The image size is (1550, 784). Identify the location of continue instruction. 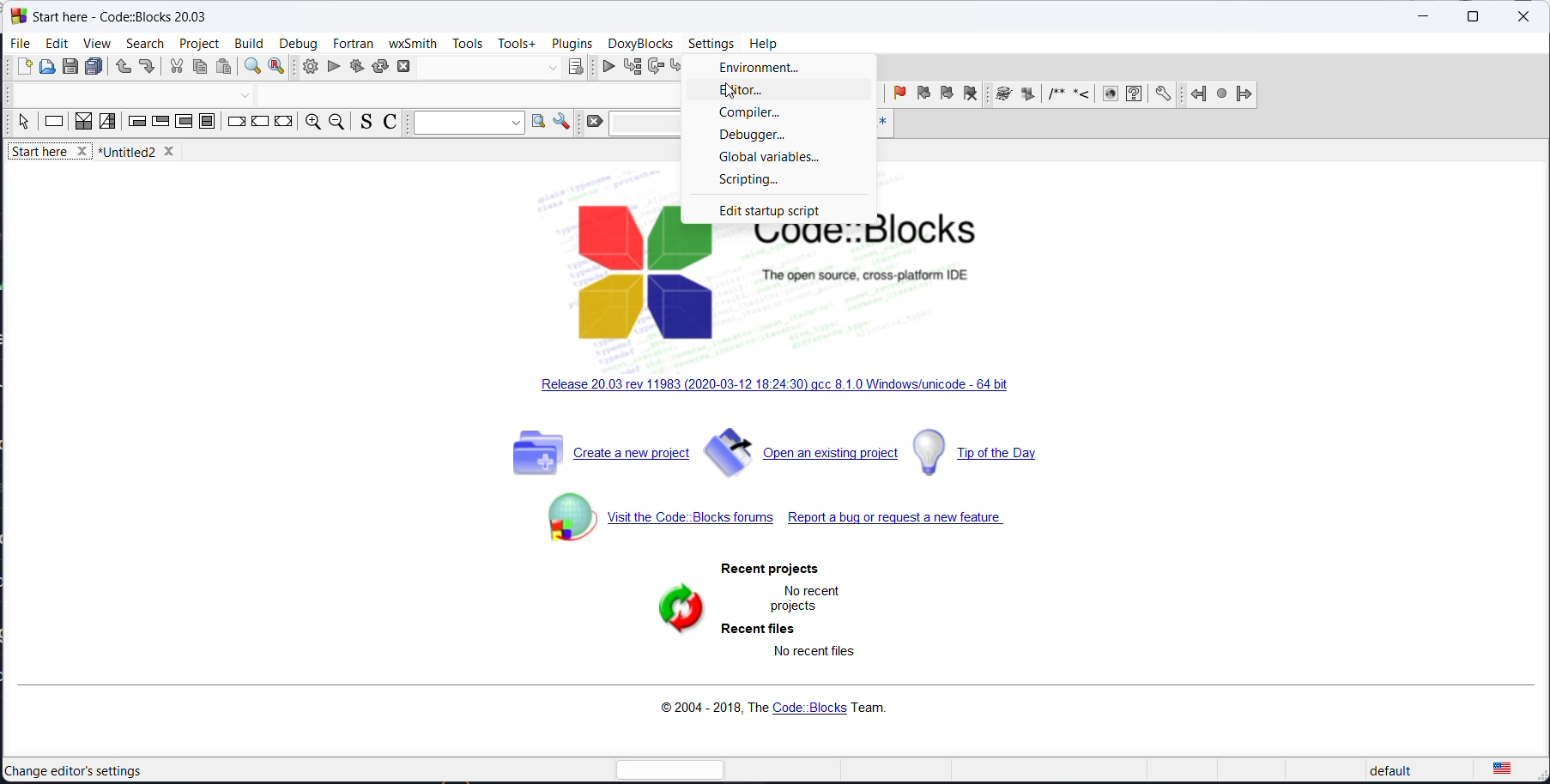
(260, 124).